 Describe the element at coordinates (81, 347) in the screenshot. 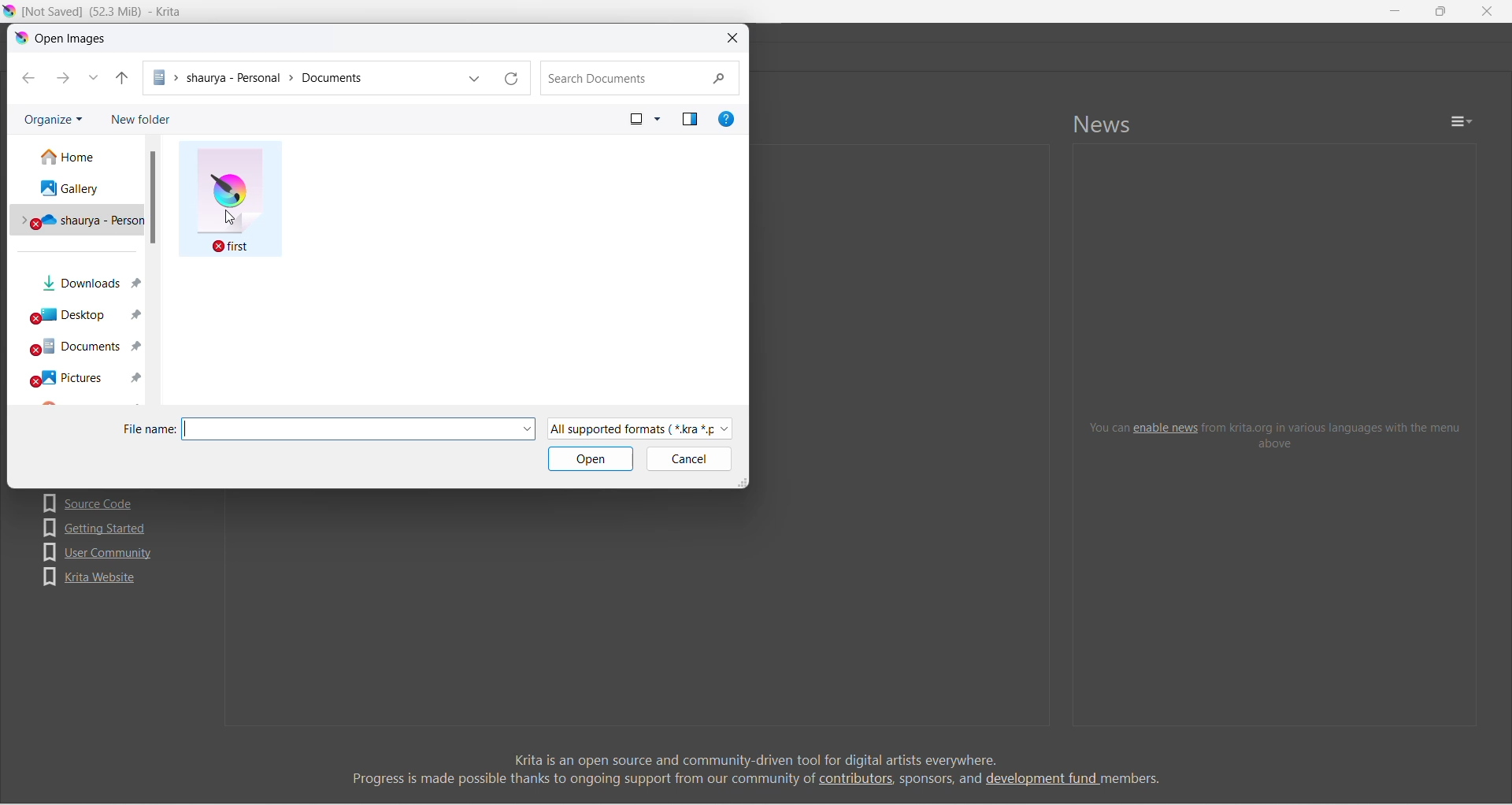

I see `documents` at that location.